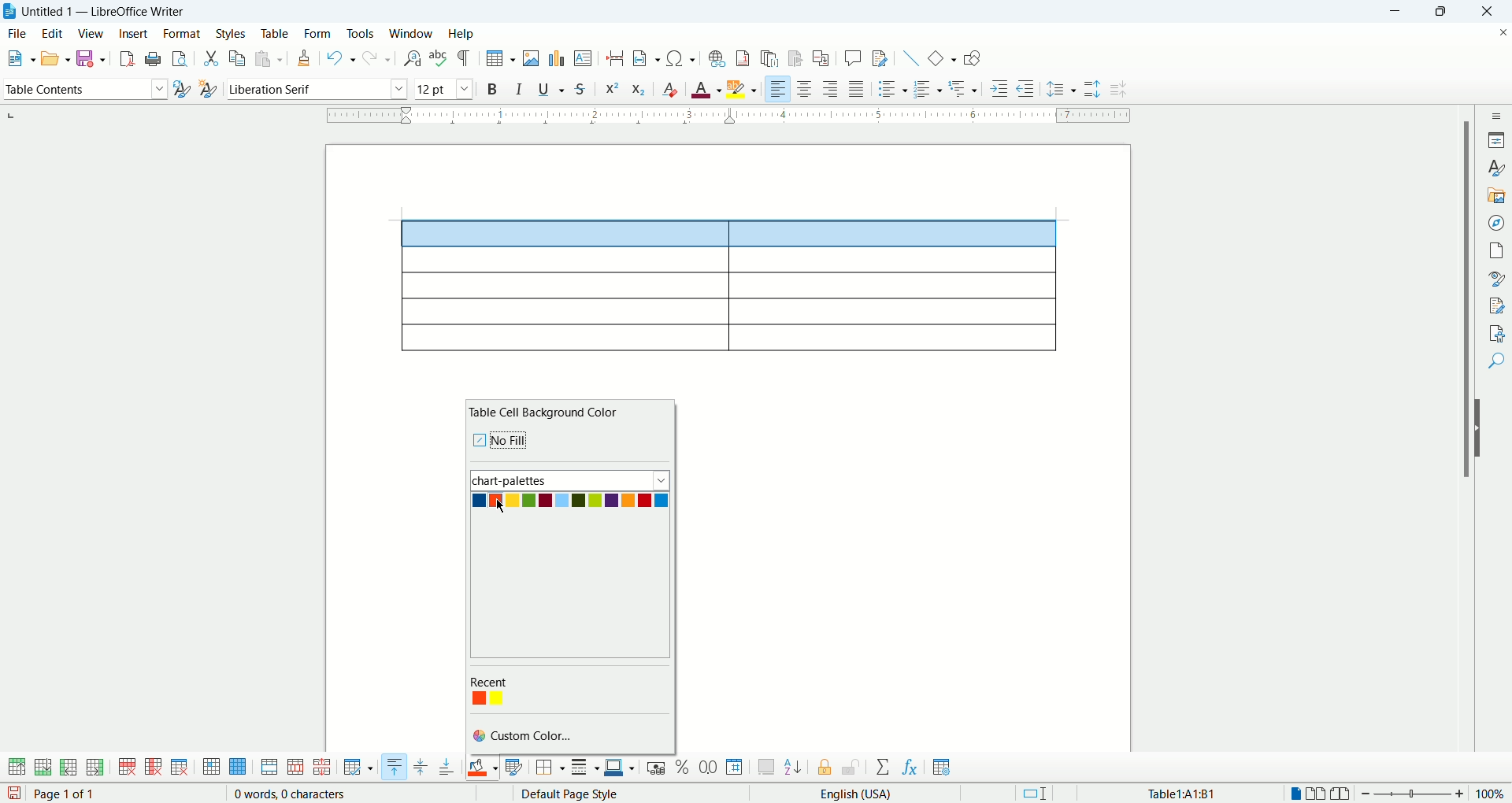 This screenshot has height=803, width=1512. Describe the element at coordinates (233, 34) in the screenshot. I see `styles` at that location.